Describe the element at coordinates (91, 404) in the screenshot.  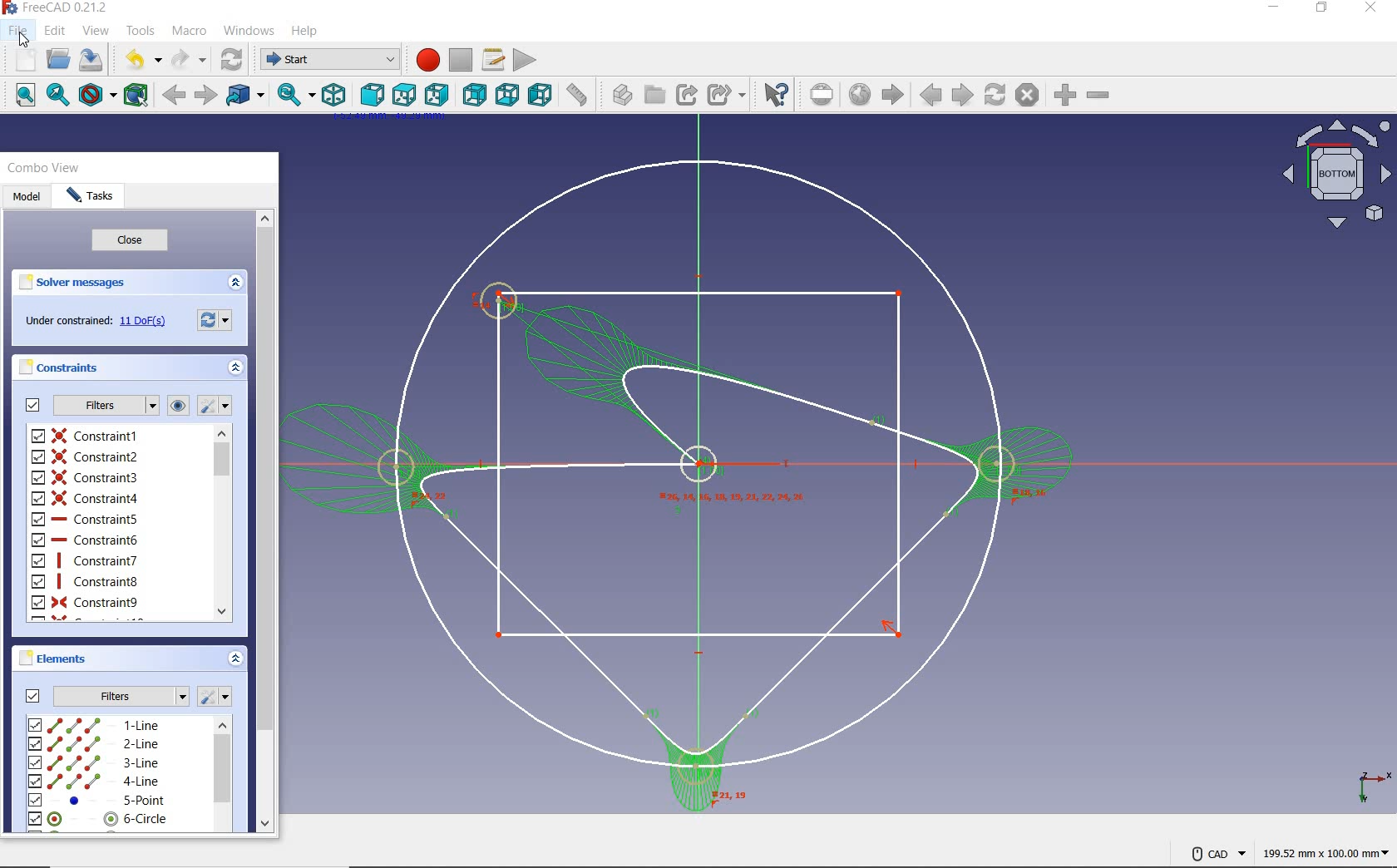
I see `filters` at that location.